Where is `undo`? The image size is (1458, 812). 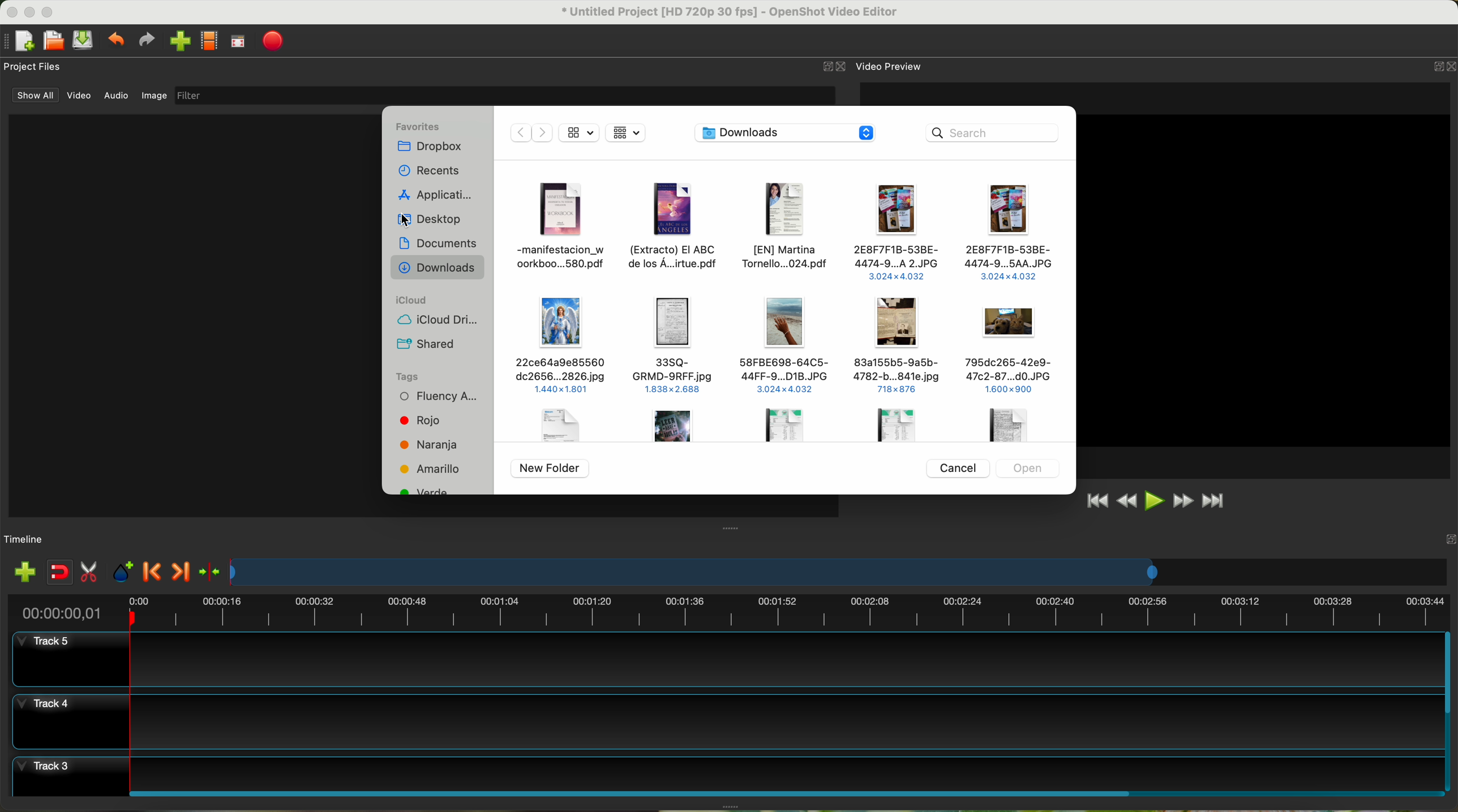
undo is located at coordinates (115, 38).